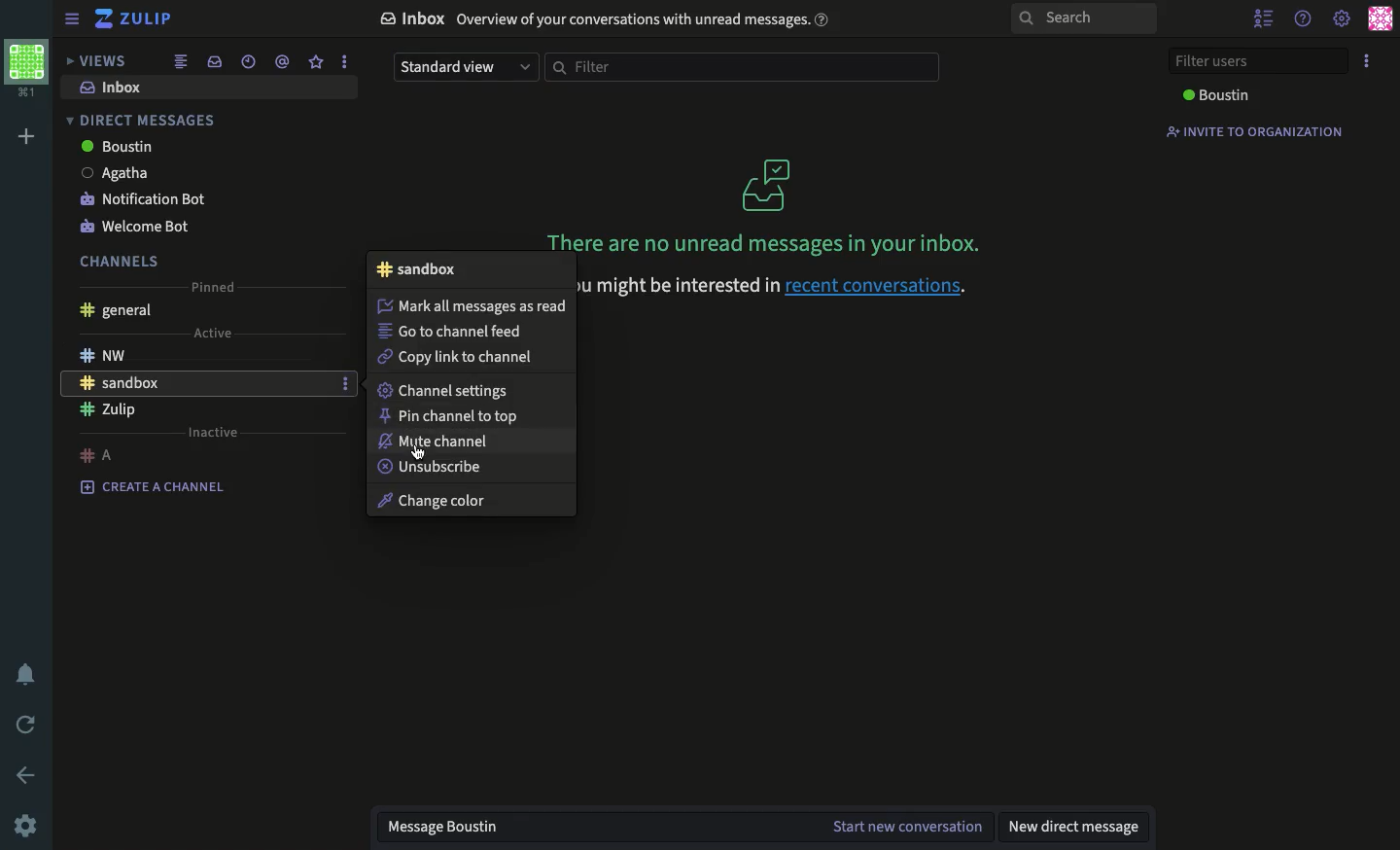 Image resolution: width=1400 pixels, height=850 pixels. Describe the element at coordinates (120, 147) in the screenshot. I see `boustin` at that location.